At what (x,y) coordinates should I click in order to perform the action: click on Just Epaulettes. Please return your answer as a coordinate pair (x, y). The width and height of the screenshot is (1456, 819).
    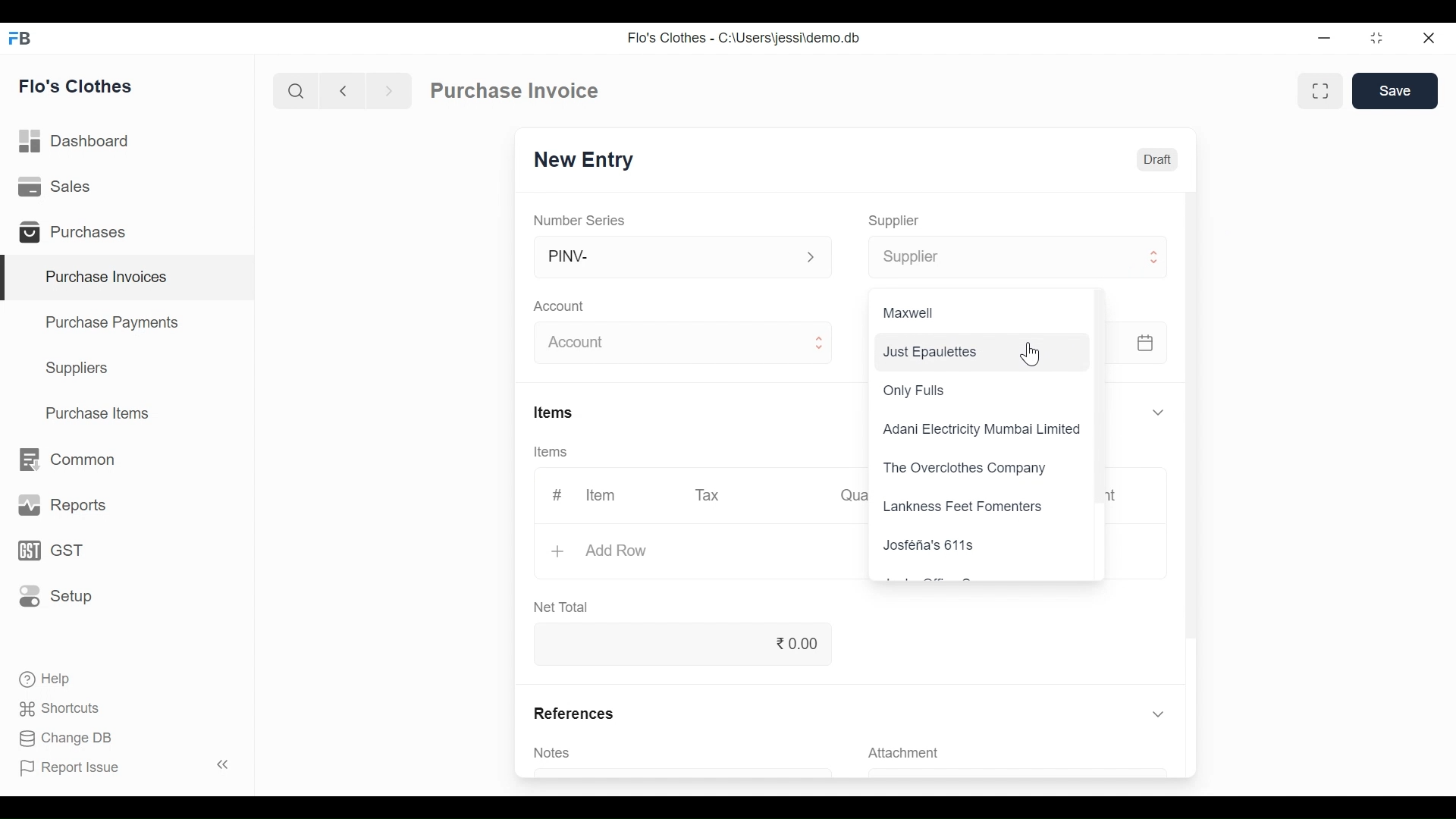
    Looking at the image, I should click on (979, 350).